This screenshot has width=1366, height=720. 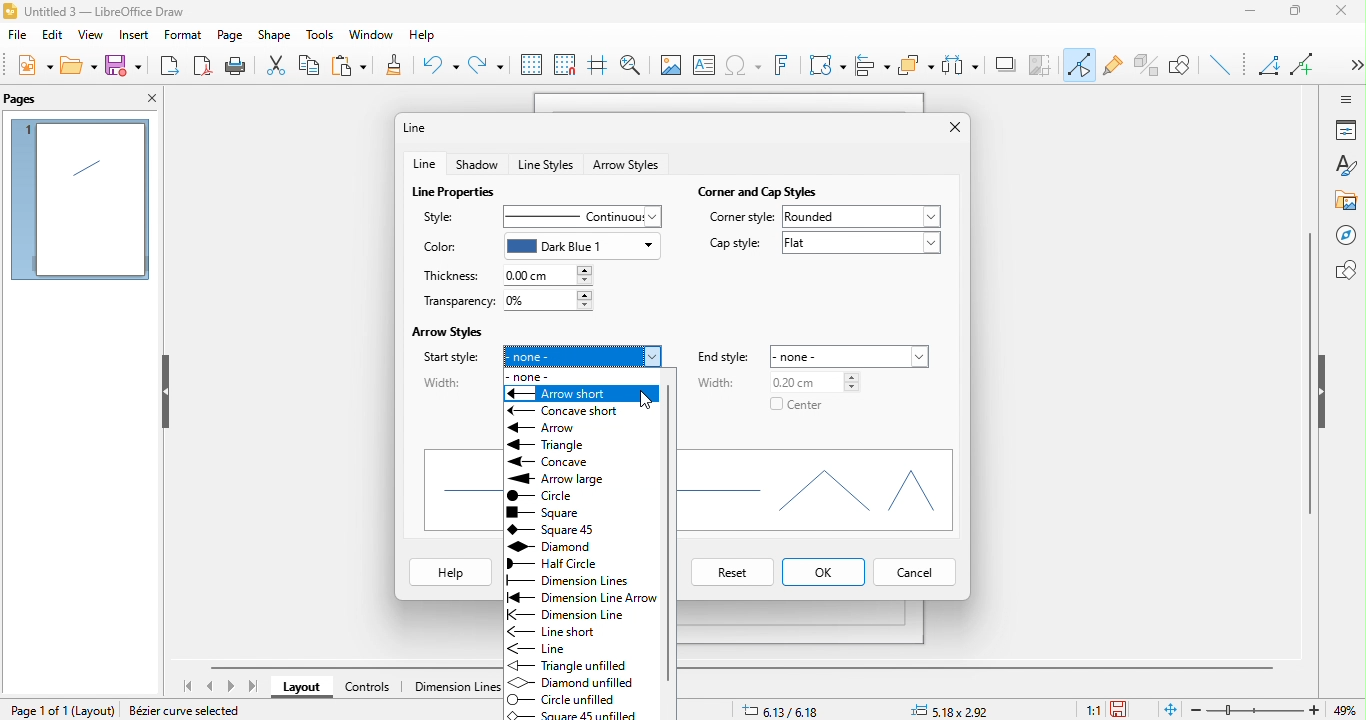 What do you see at coordinates (1043, 63) in the screenshot?
I see `crop image` at bounding box center [1043, 63].